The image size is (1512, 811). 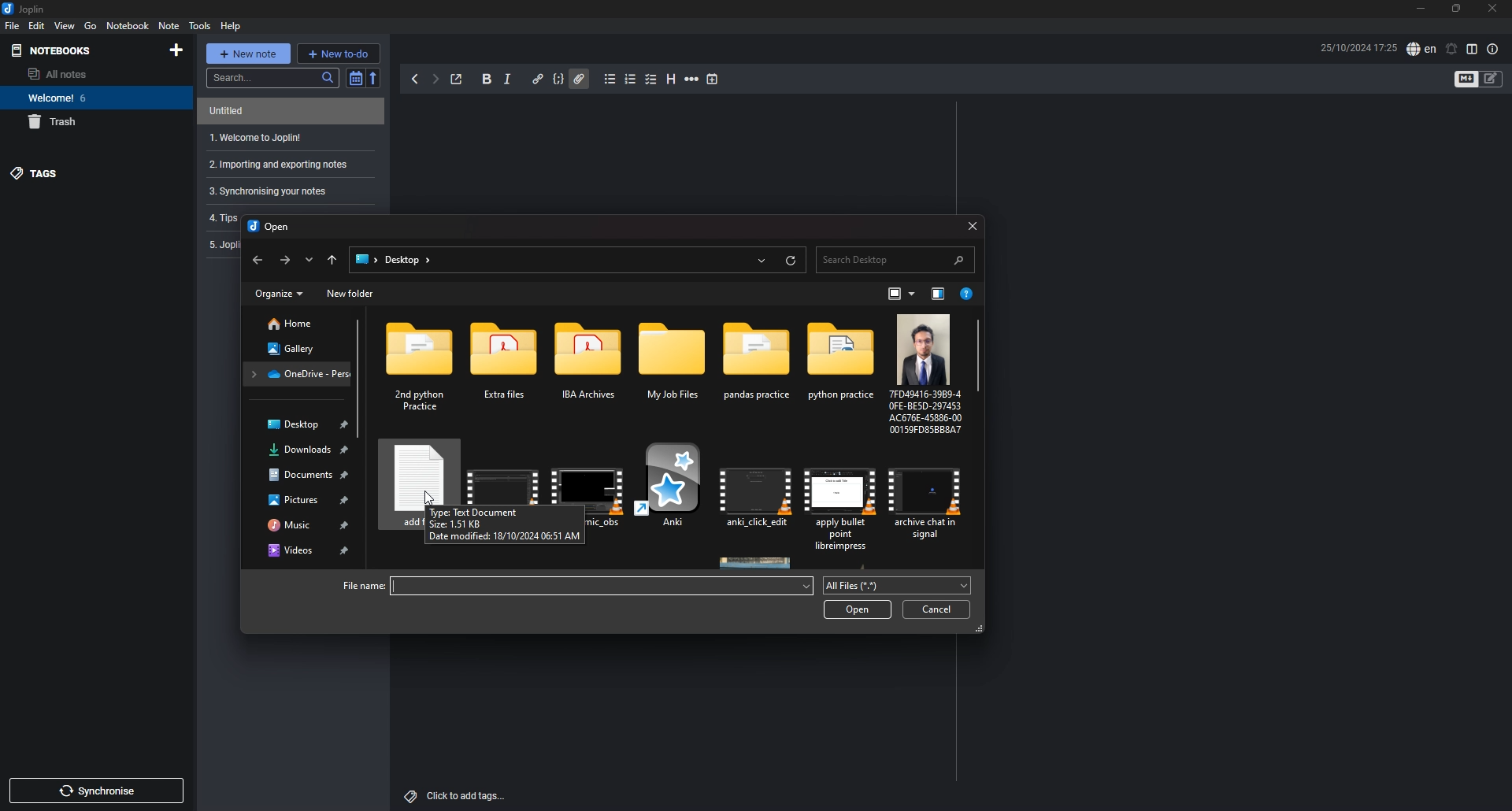 I want to click on desktop, so click(x=299, y=425).